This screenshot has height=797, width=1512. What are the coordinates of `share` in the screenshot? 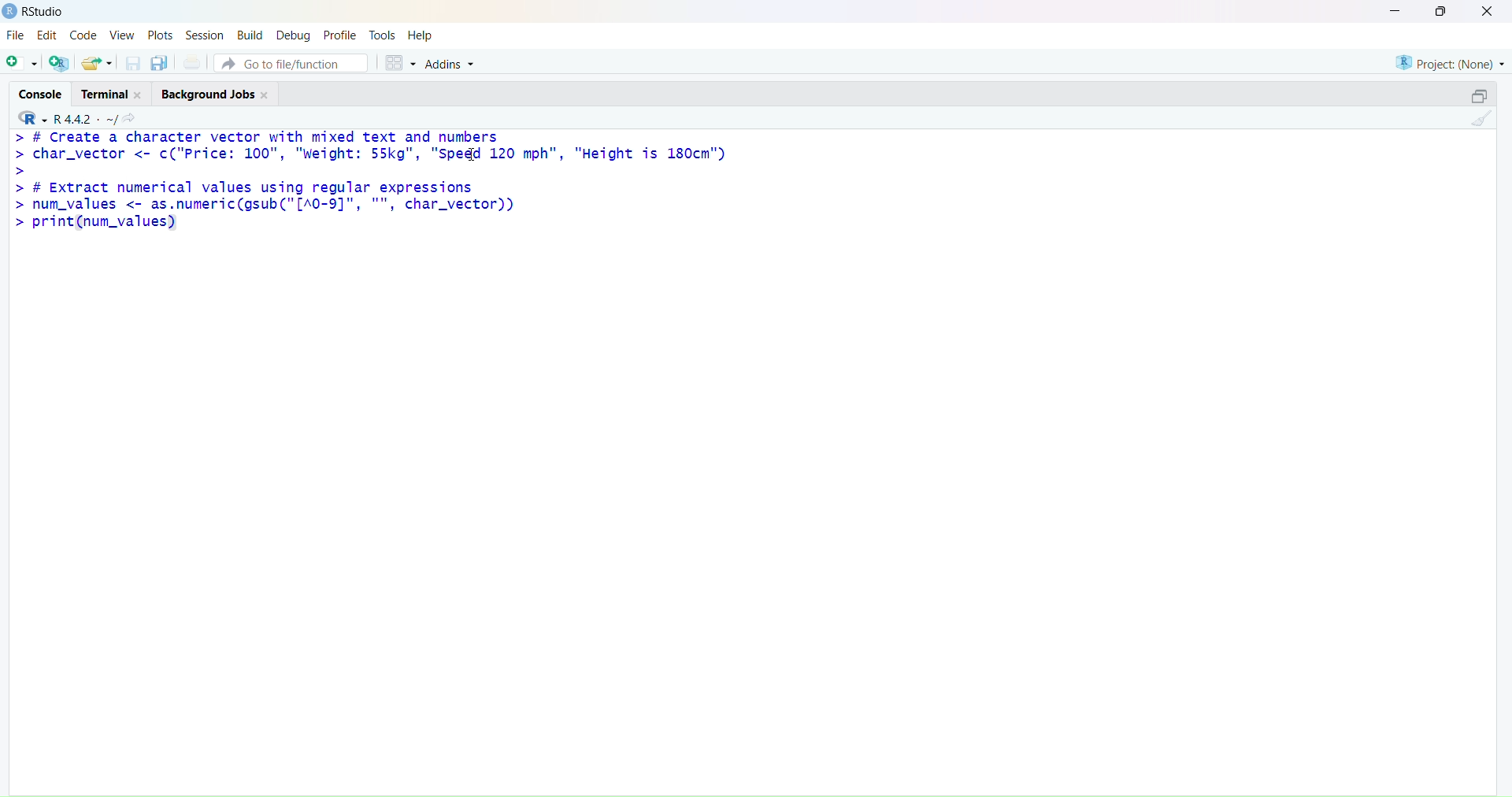 It's located at (129, 120).